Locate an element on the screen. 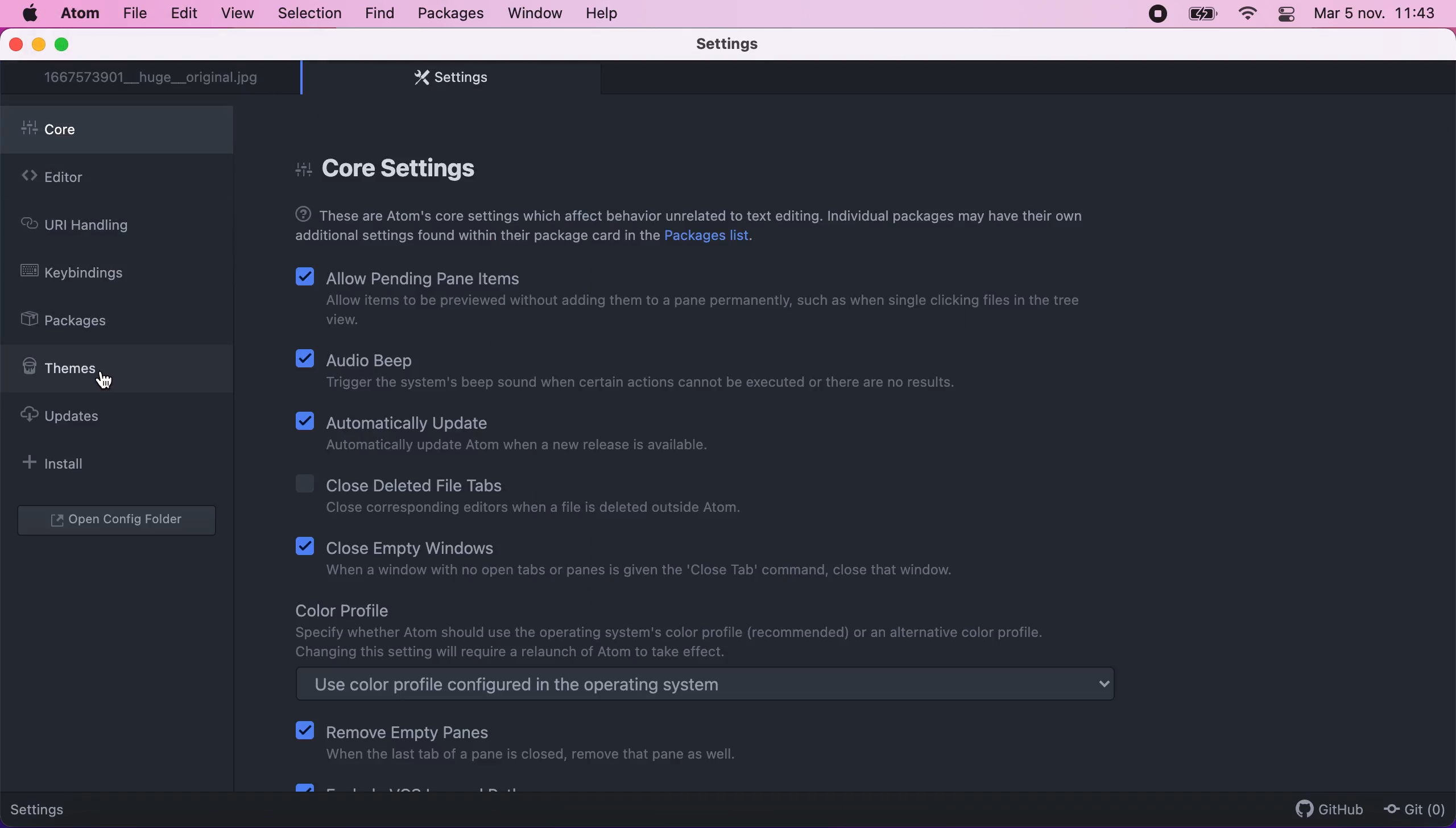  open configuration folder is located at coordinates (122, 521).